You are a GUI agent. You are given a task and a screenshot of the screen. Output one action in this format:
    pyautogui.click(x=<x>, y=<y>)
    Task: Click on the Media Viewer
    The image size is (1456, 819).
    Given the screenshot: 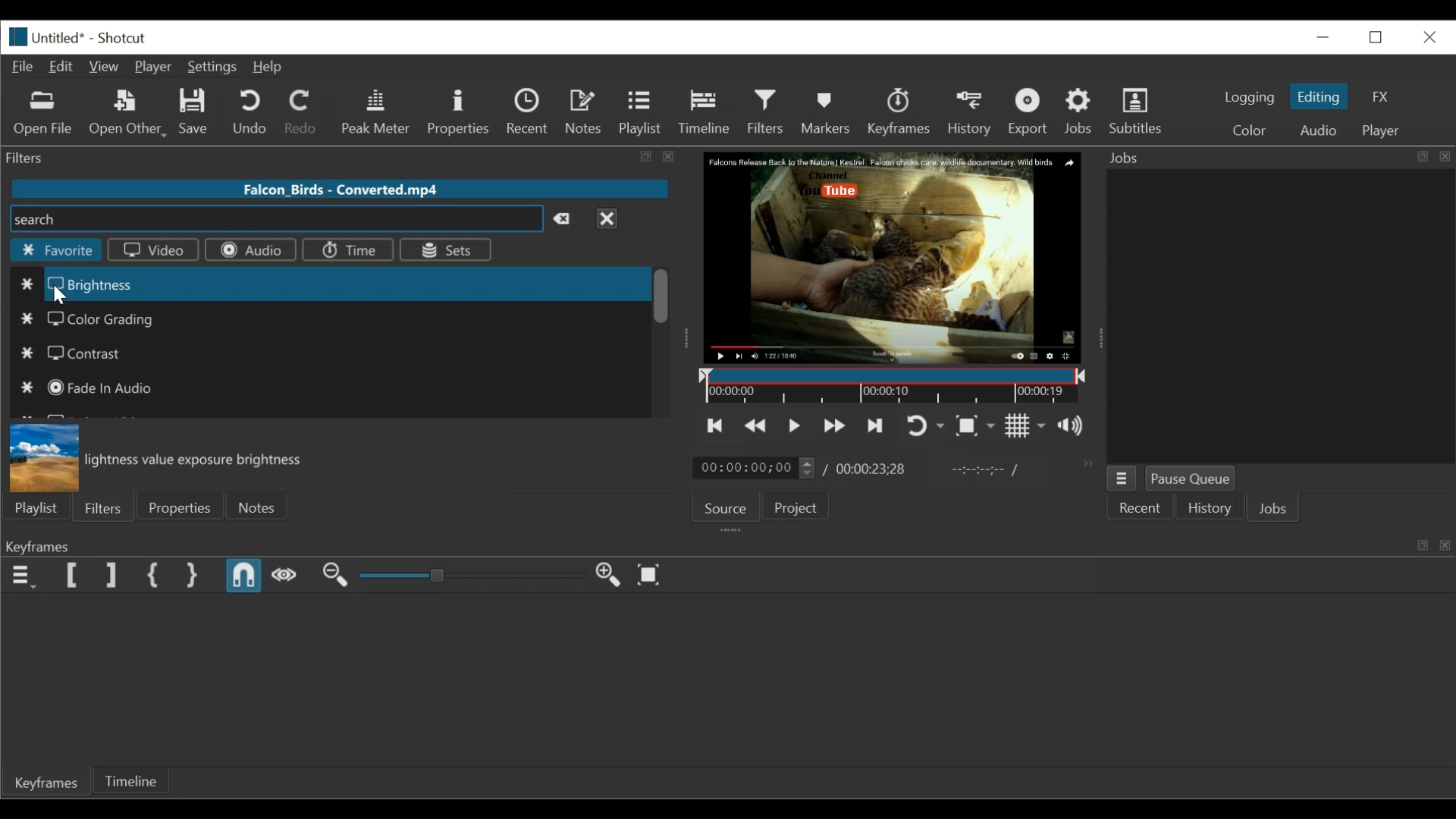 What is the action you would take?
    pyautogui.click(x=890, y=257)
    